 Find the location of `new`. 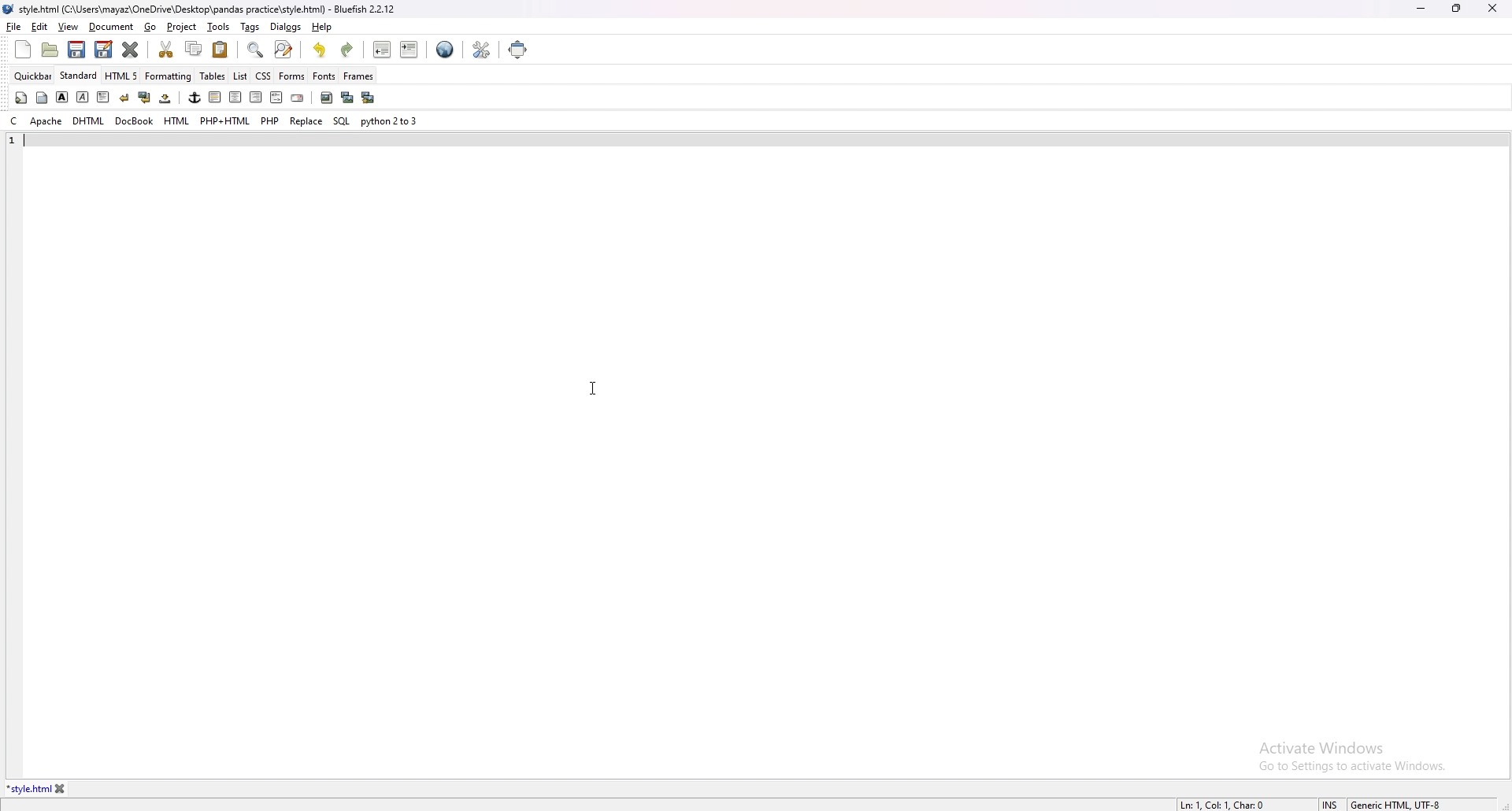

new is located at coordinates (23, 50).